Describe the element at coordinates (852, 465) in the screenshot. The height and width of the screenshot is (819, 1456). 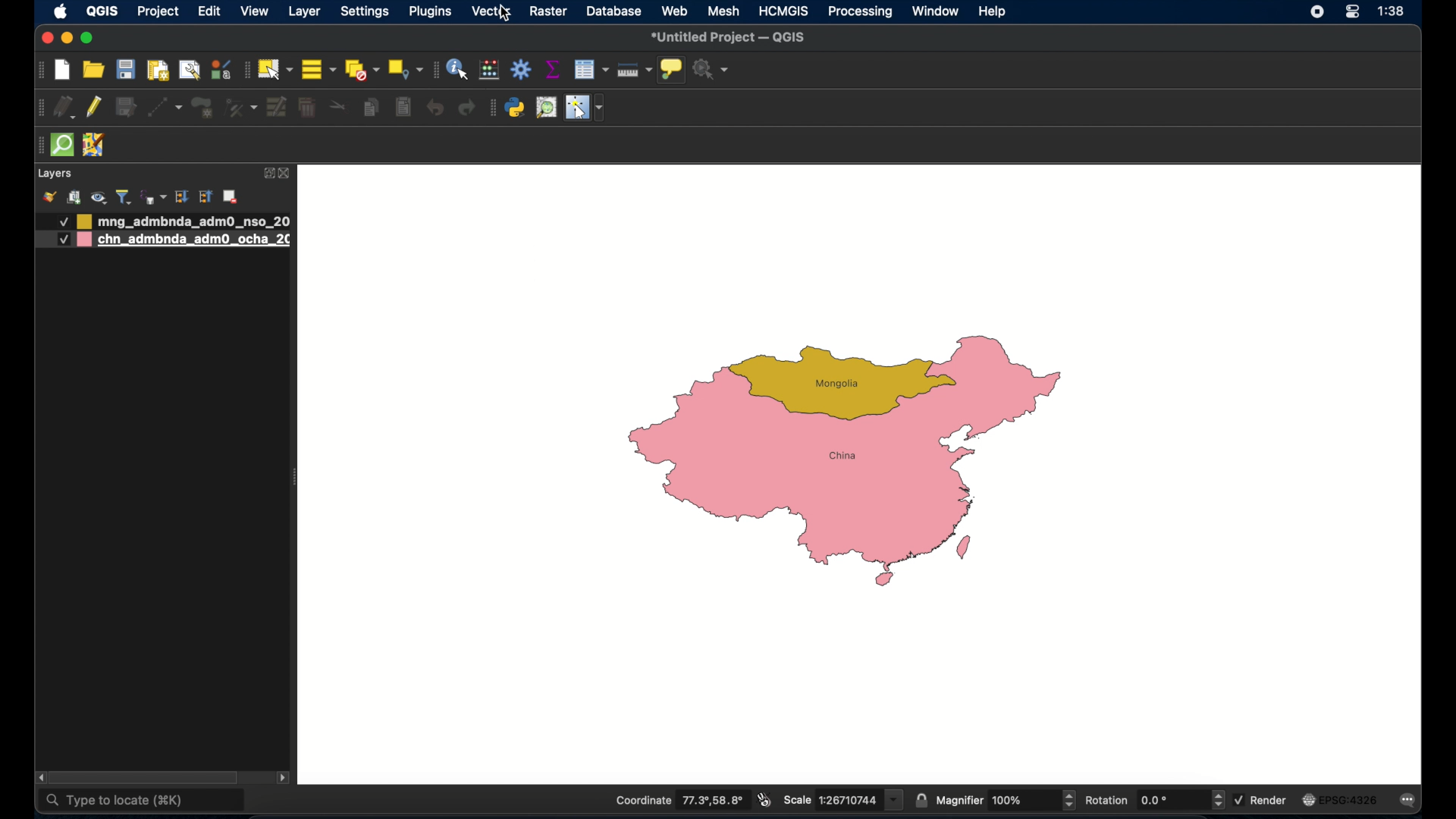
I see `maps of china and Mongolia` at that location.